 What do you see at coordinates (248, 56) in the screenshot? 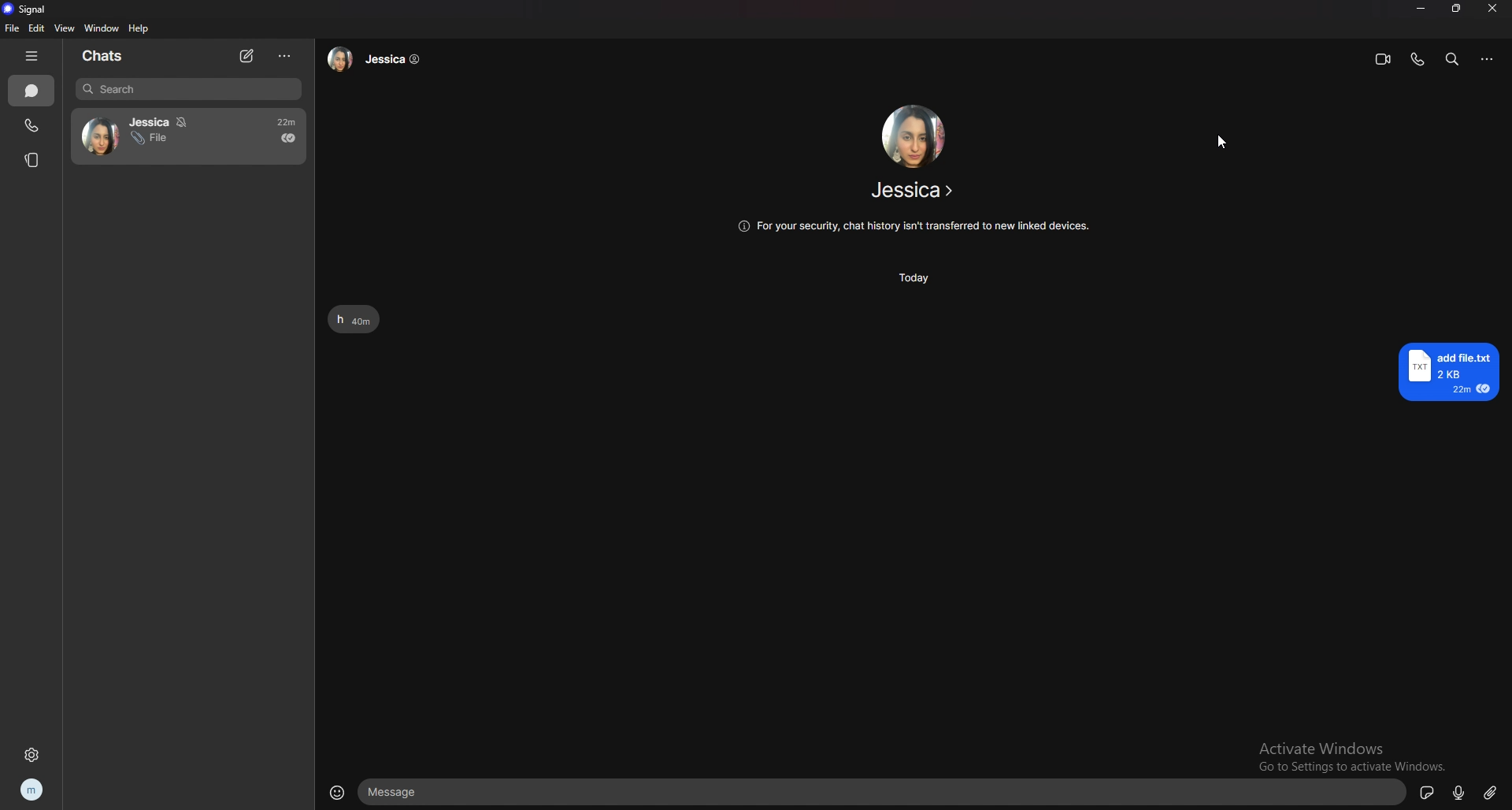
I see `new chat` at bounding box center [248, 56].